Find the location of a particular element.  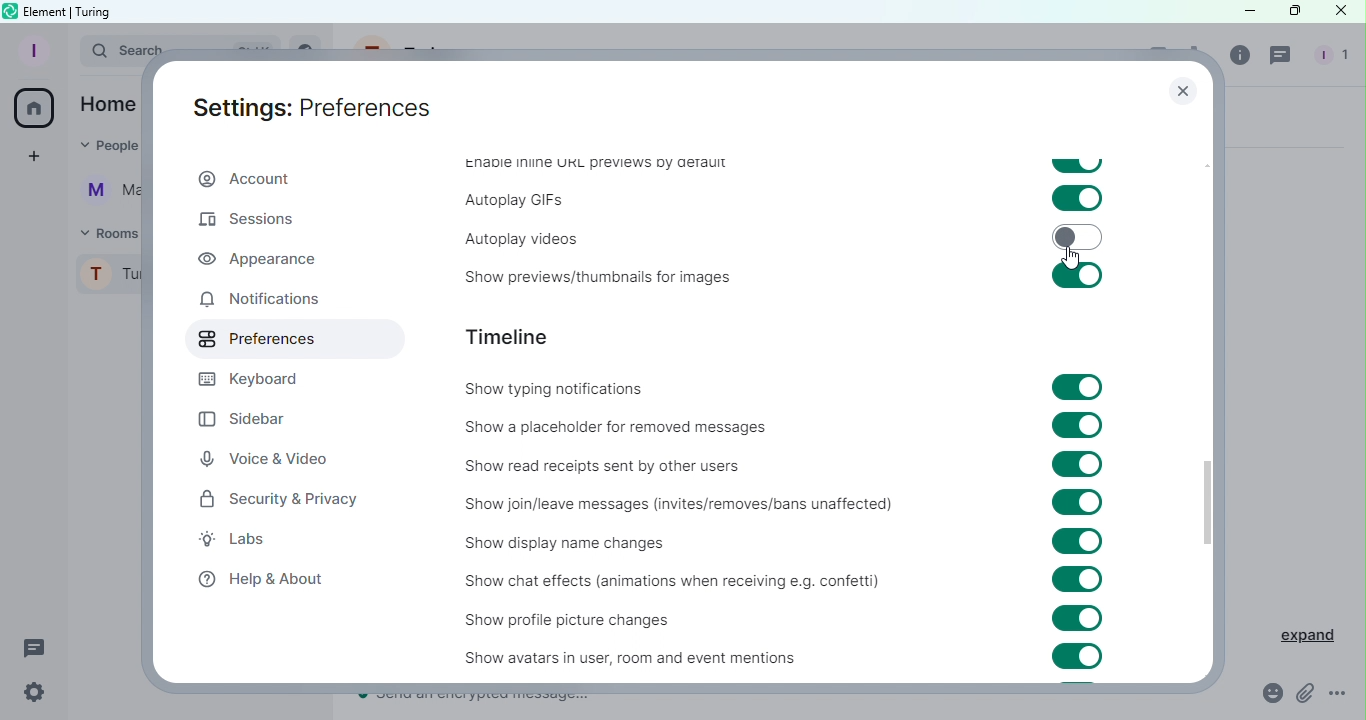

Cursor is located at coordinates (1071, 258).